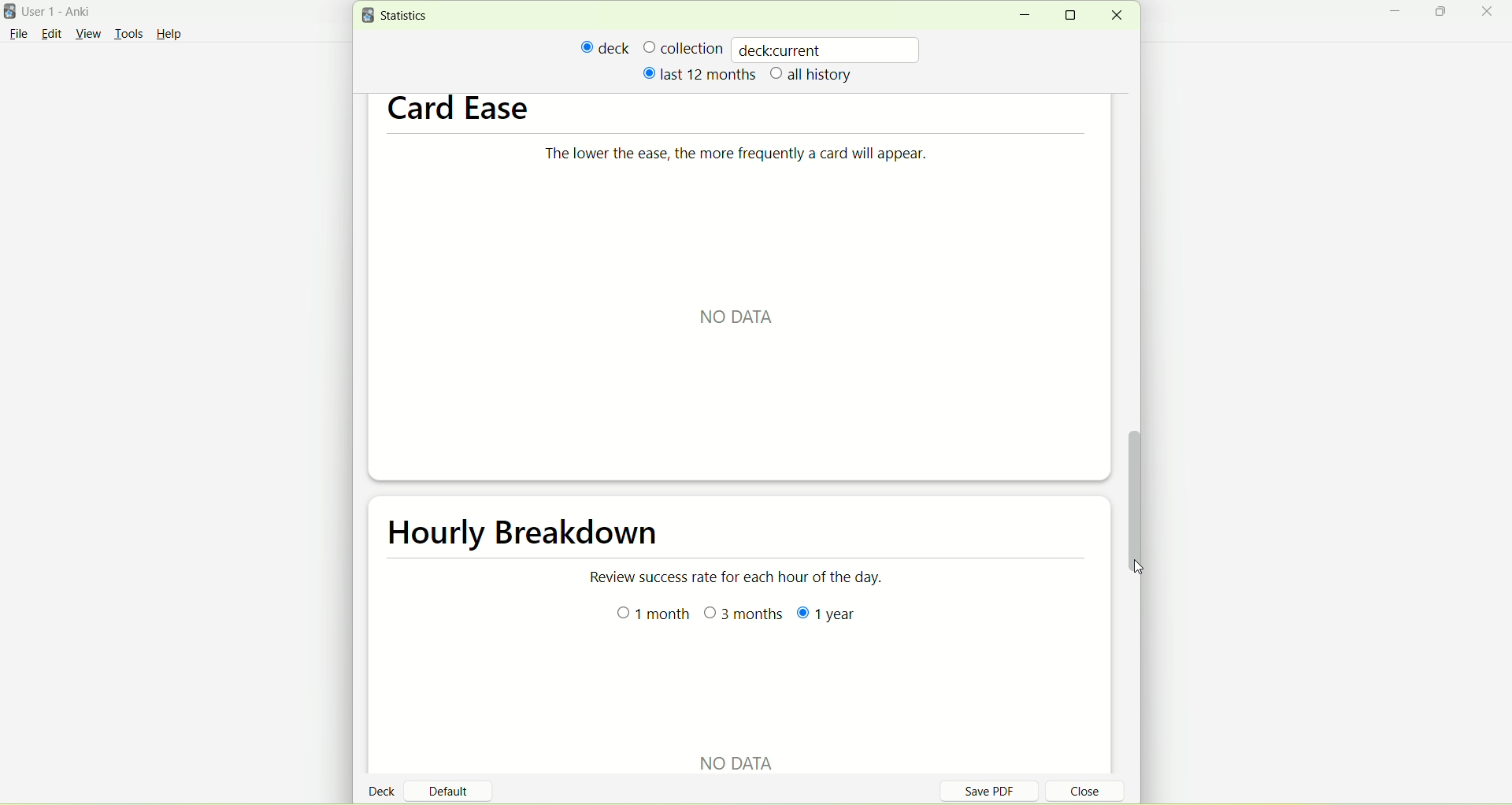 This screenshot has height=805, width=1512. Describe the element at coordinates (698, 73) in the screenshot. I see `last 12 months` at that location.